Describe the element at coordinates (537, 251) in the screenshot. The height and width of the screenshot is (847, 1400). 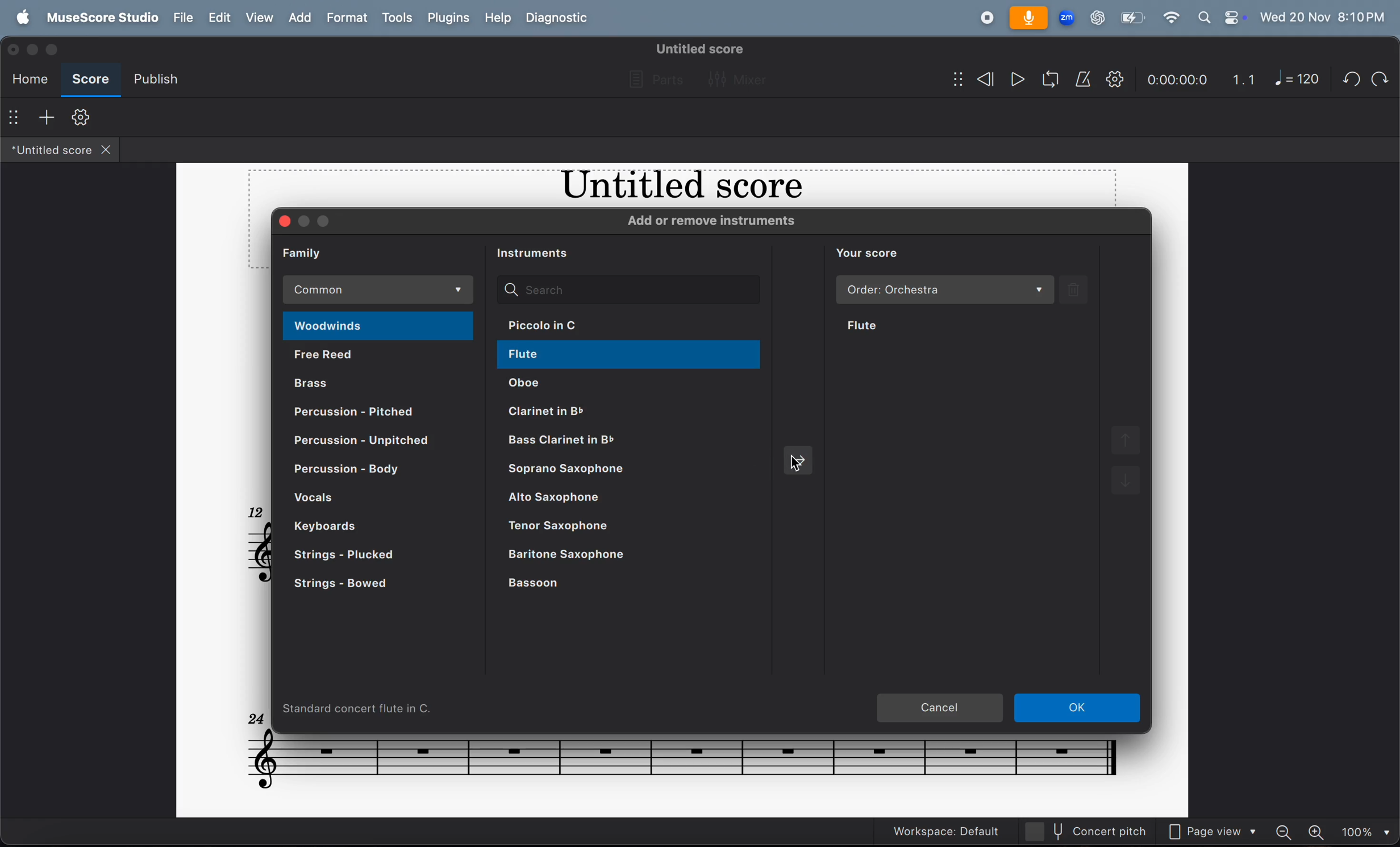
I see `instruments` at that location.